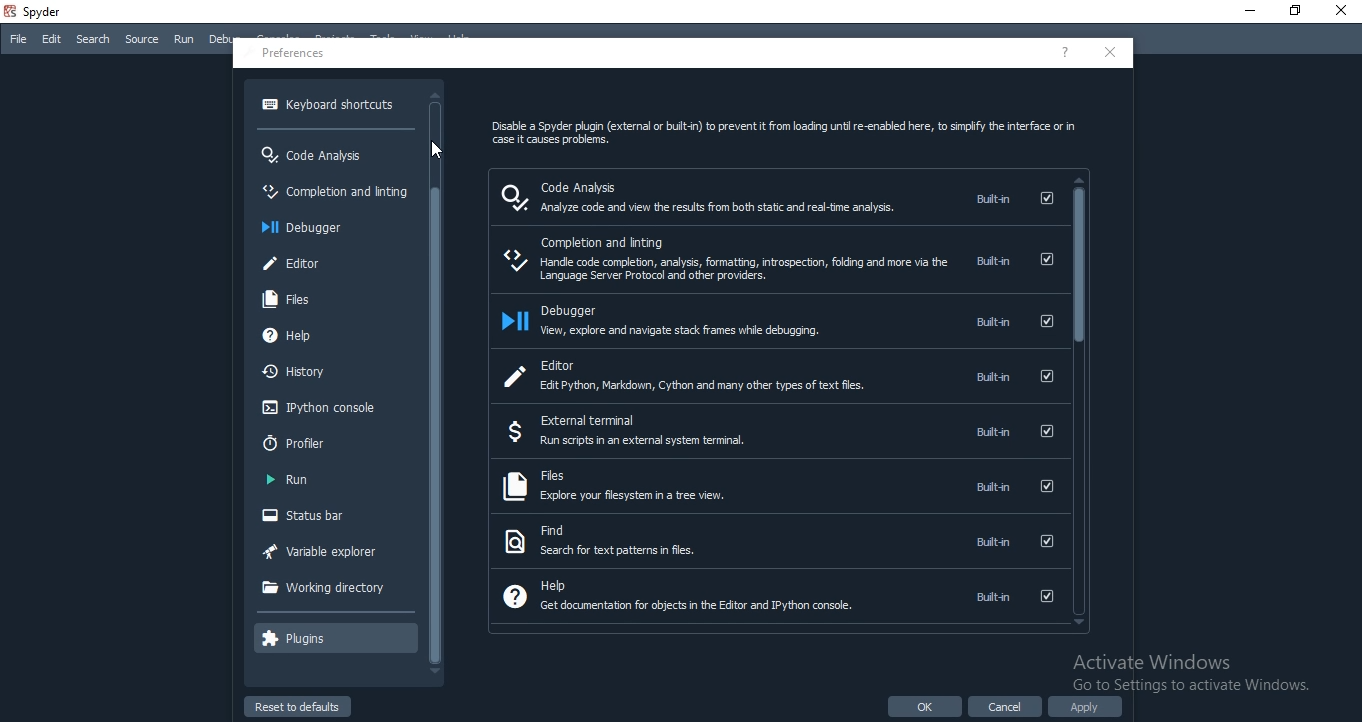 The image size is (1362, 722). What do you see at coordinates (286, 298) in the screenshot?
I see `Files` at bounding box center [286, 298].